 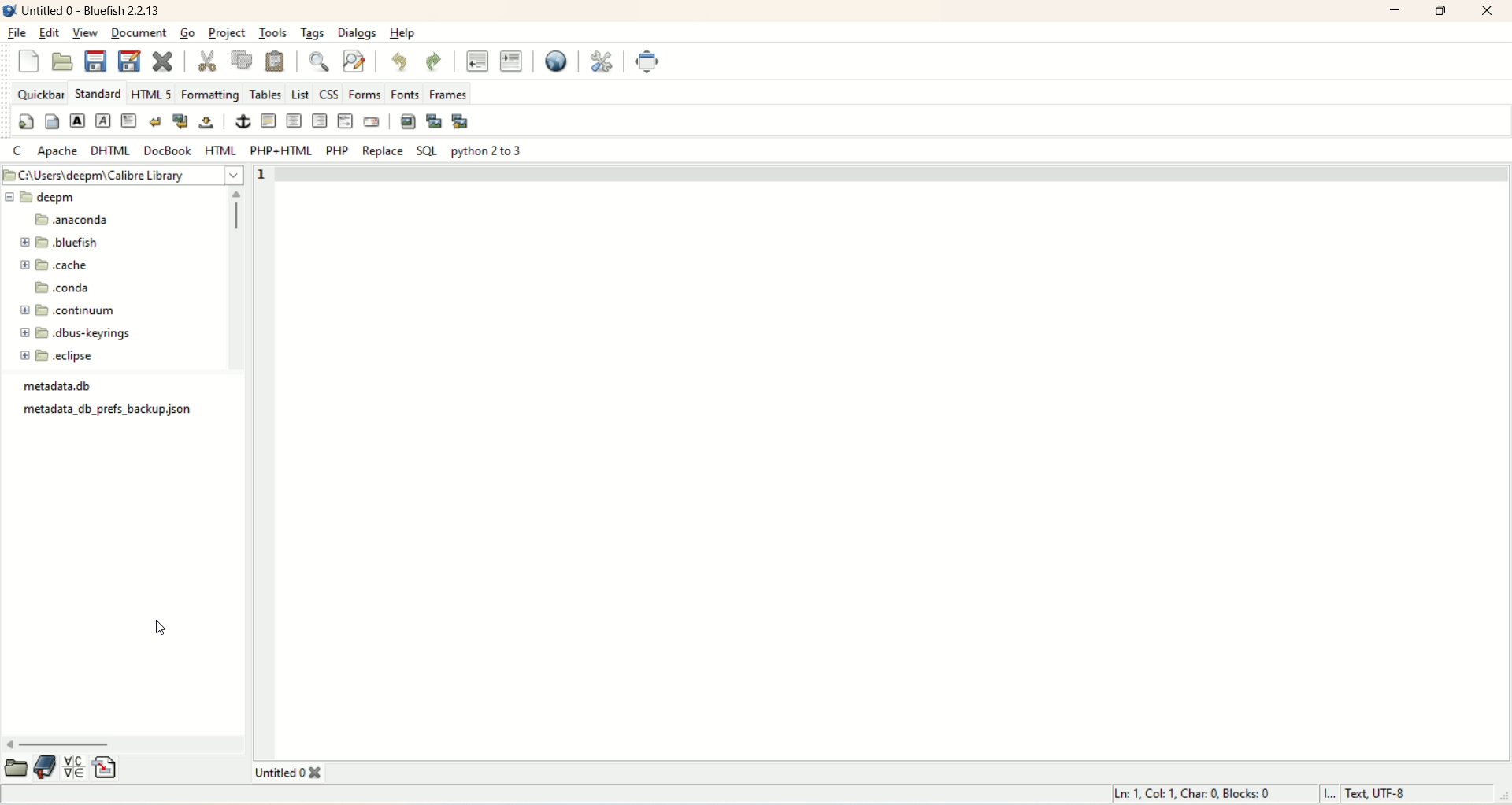 What do you see at coordinates (339, 151) in the screenshot?
I see `PHP` at bounding box center [339, 151].